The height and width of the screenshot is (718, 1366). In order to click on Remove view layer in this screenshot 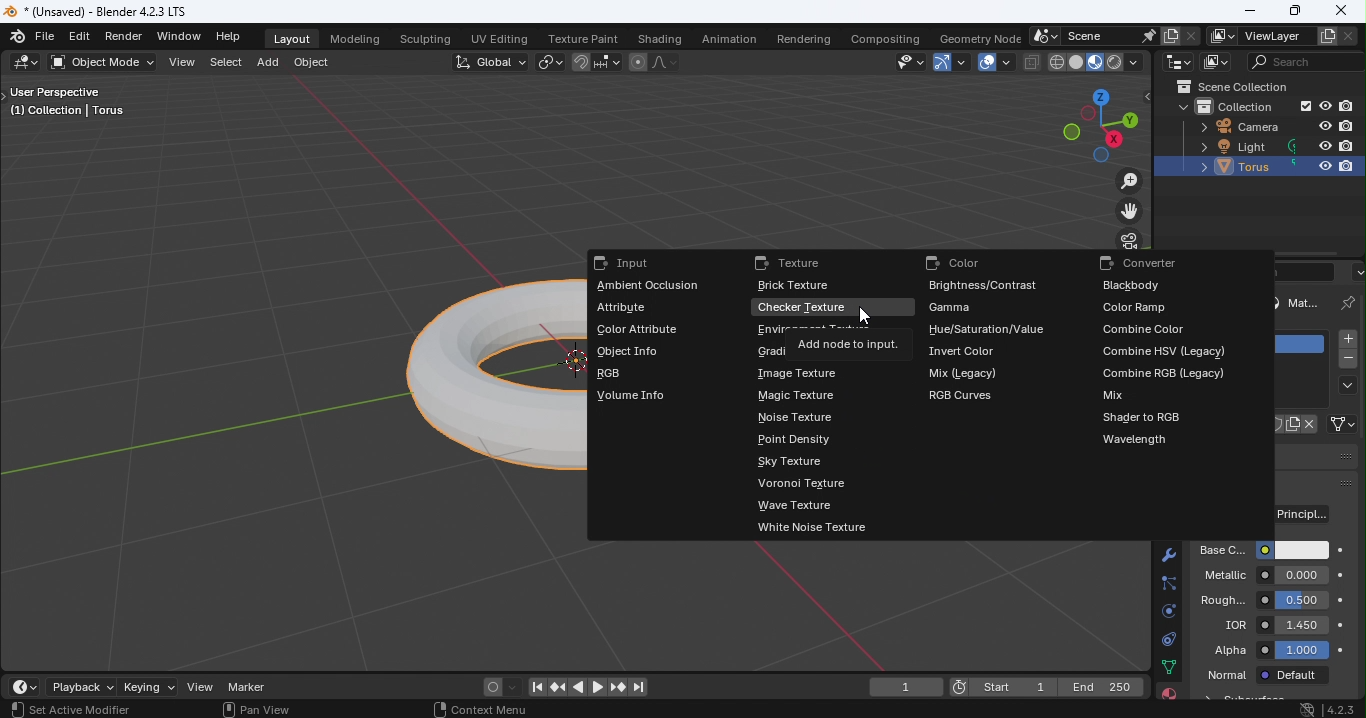, I will do `click(1352, 36)`.